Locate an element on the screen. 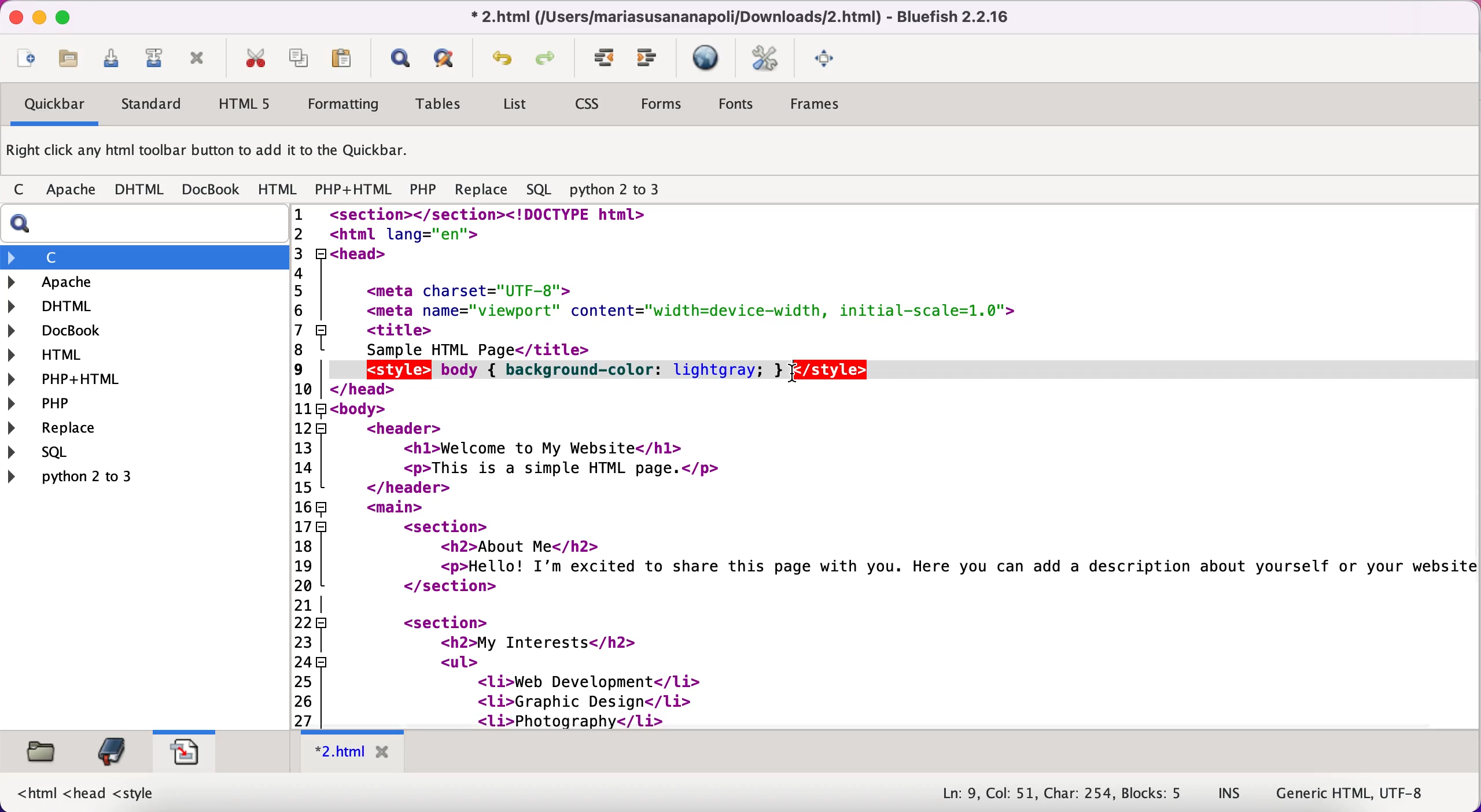 The width and height of the screenshot is (1481, 812). new file is located at coordinates (26, 61).